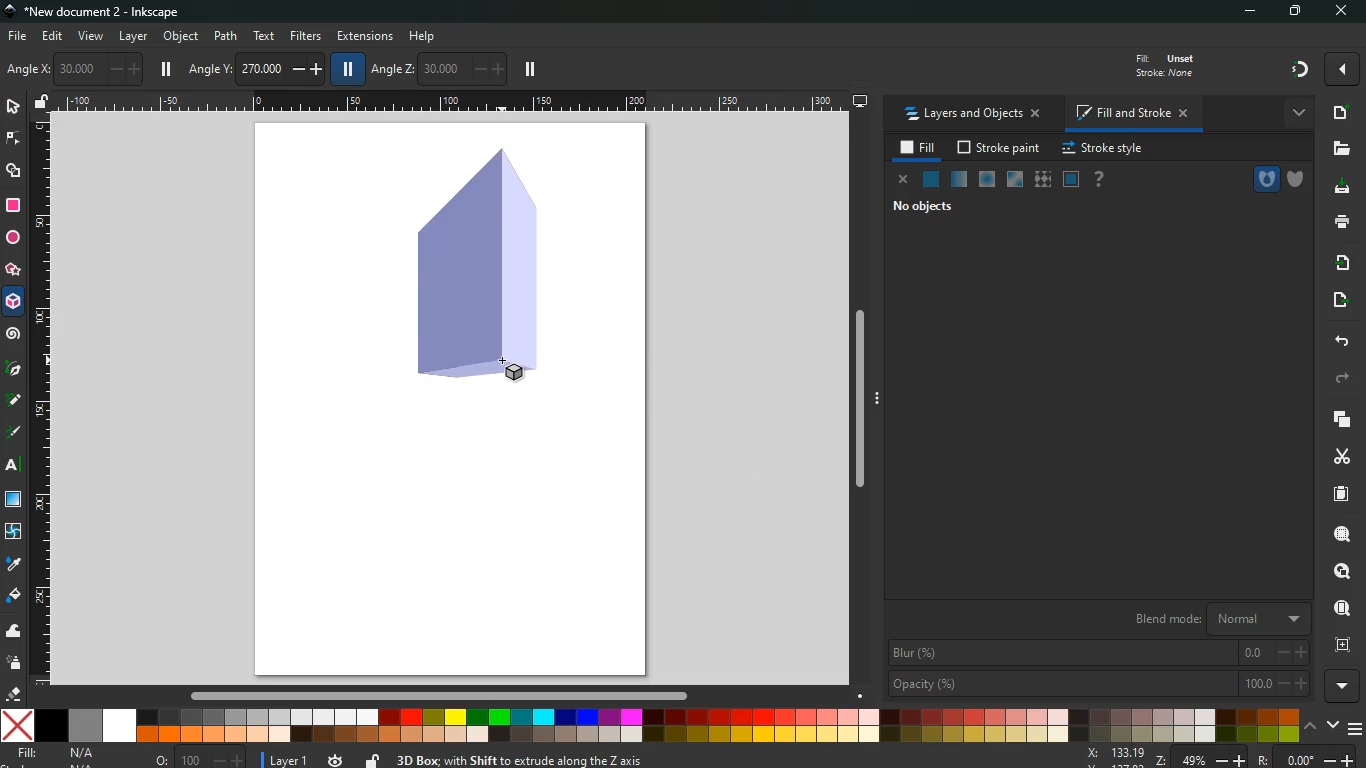  I want to click on twist, so click(13, 533).